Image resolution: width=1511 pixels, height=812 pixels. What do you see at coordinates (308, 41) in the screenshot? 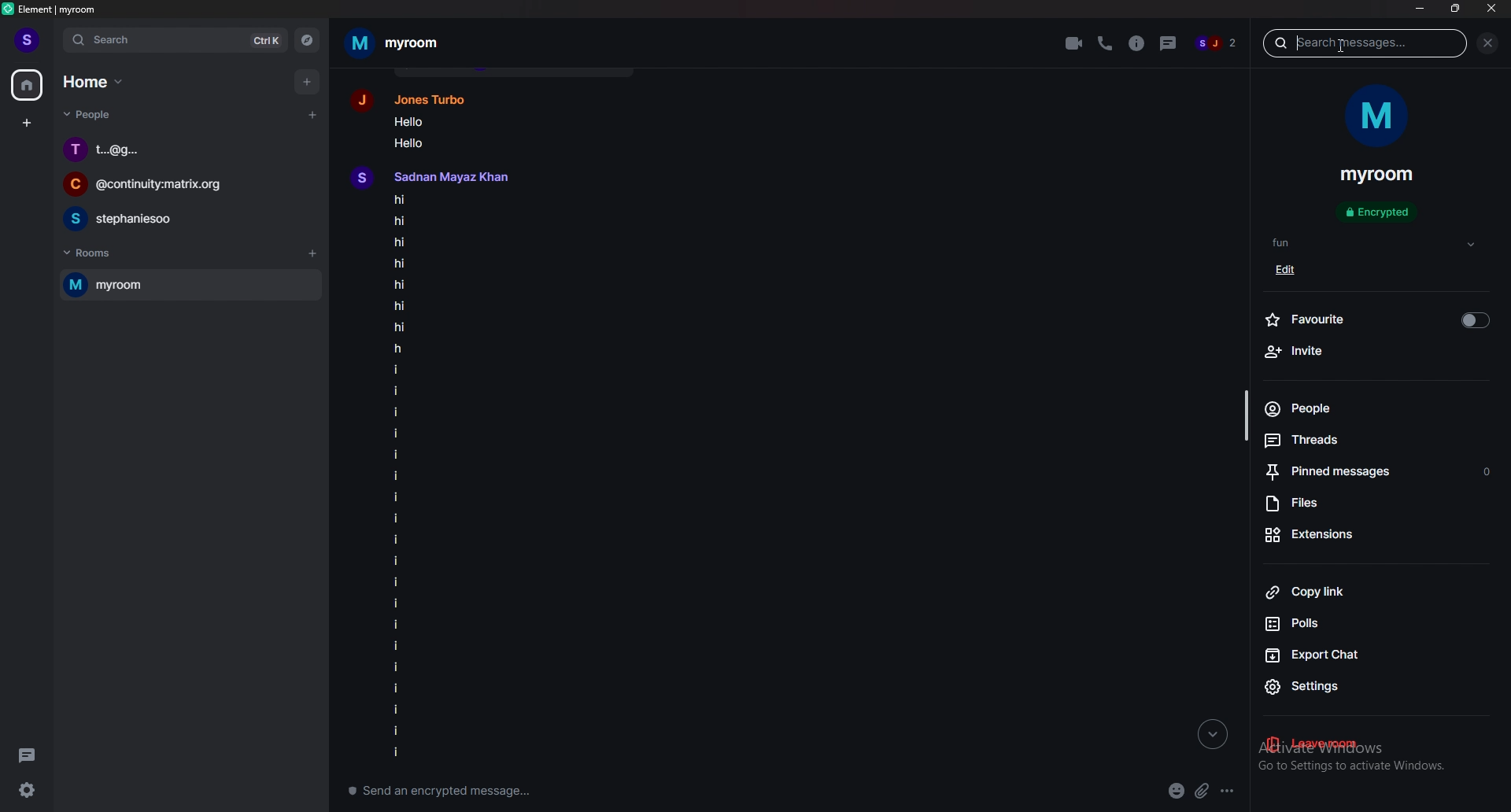
I see `explore rooms` at bounding box center [308, 41].